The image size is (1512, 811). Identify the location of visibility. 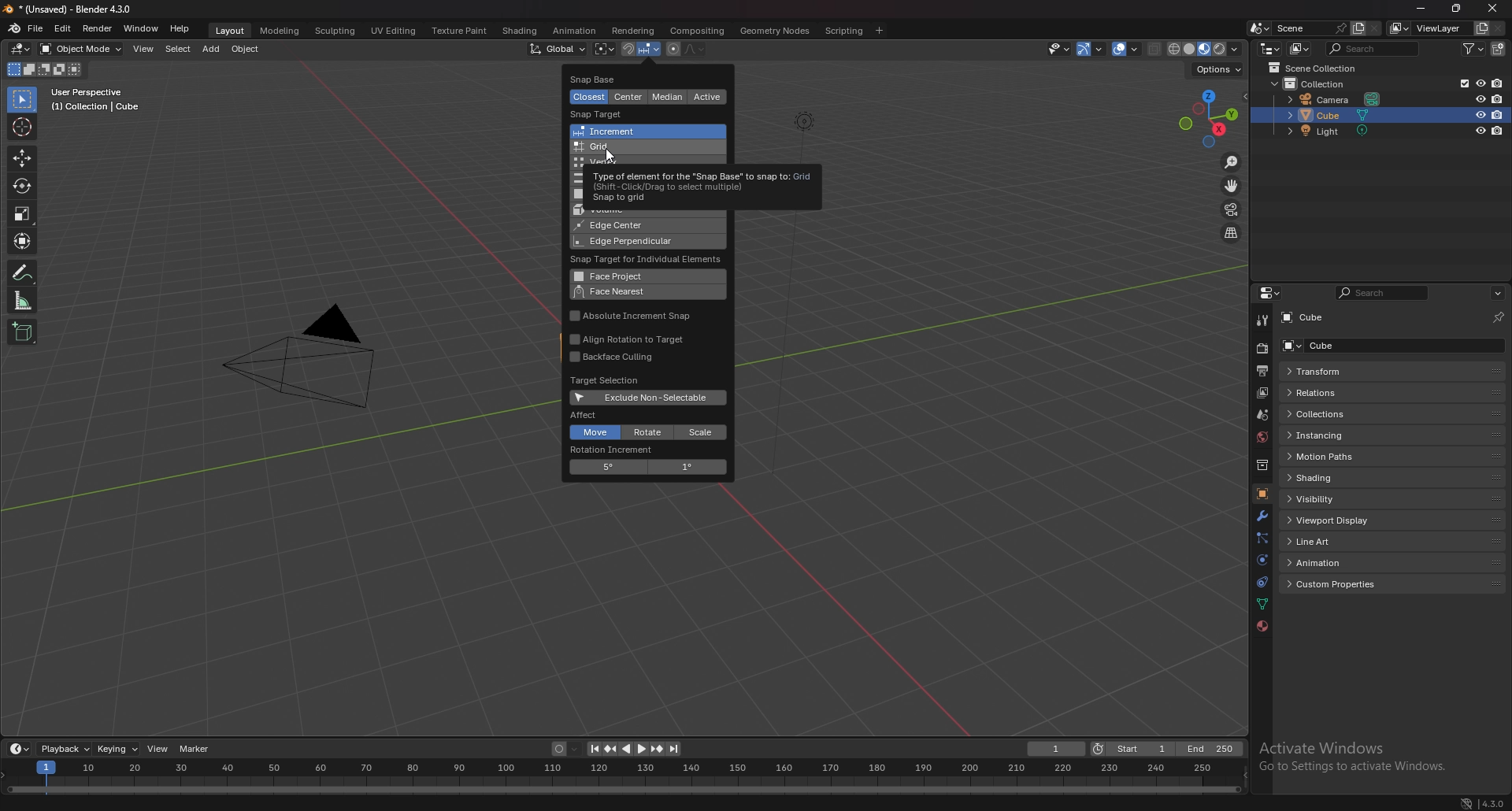
(1336, 498).